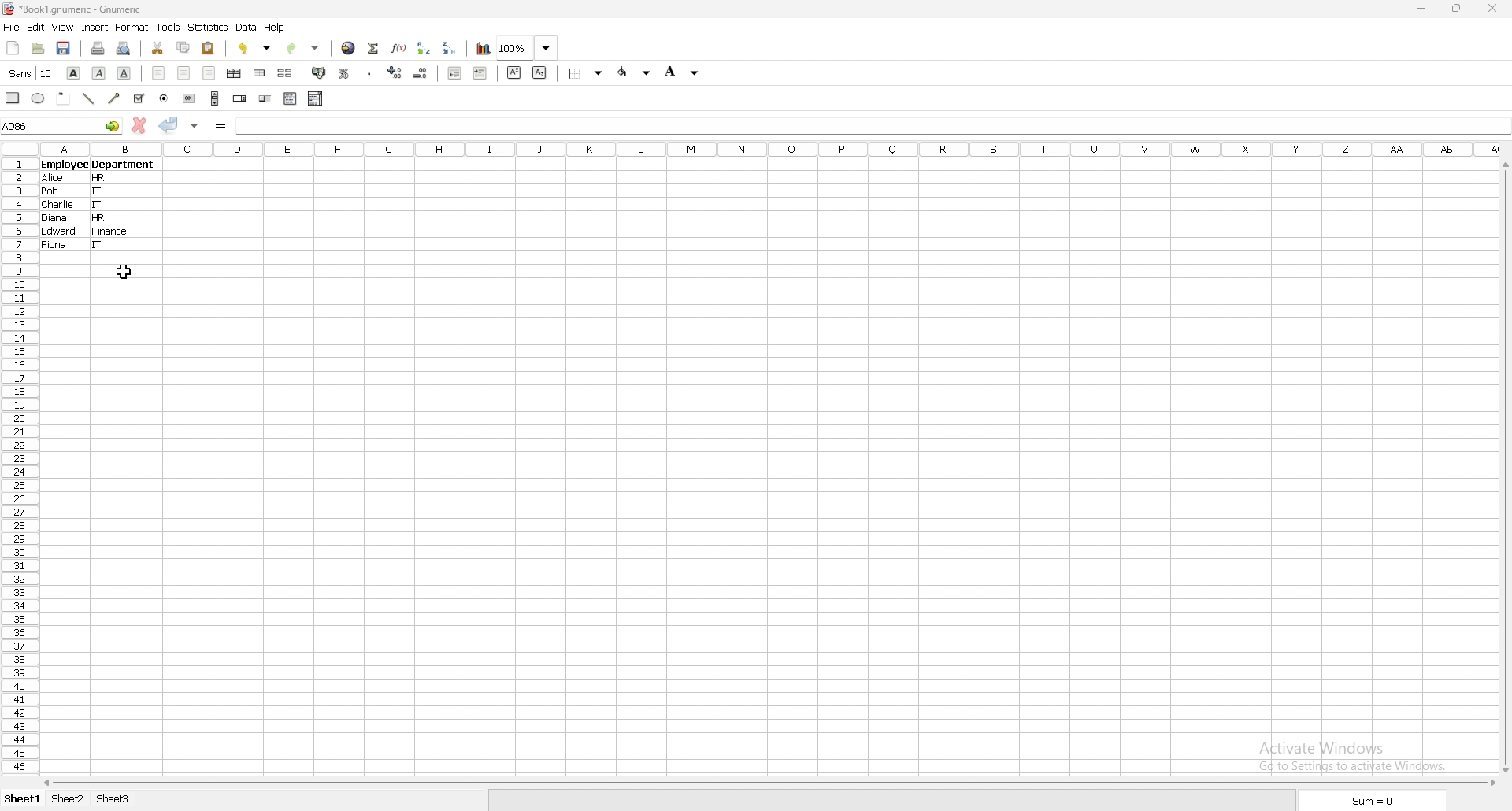 The width and height of the screenshot is (1512, 811). Describe the element at coordinates (528, 49) in the screenshot. I see `zoom` at that location.